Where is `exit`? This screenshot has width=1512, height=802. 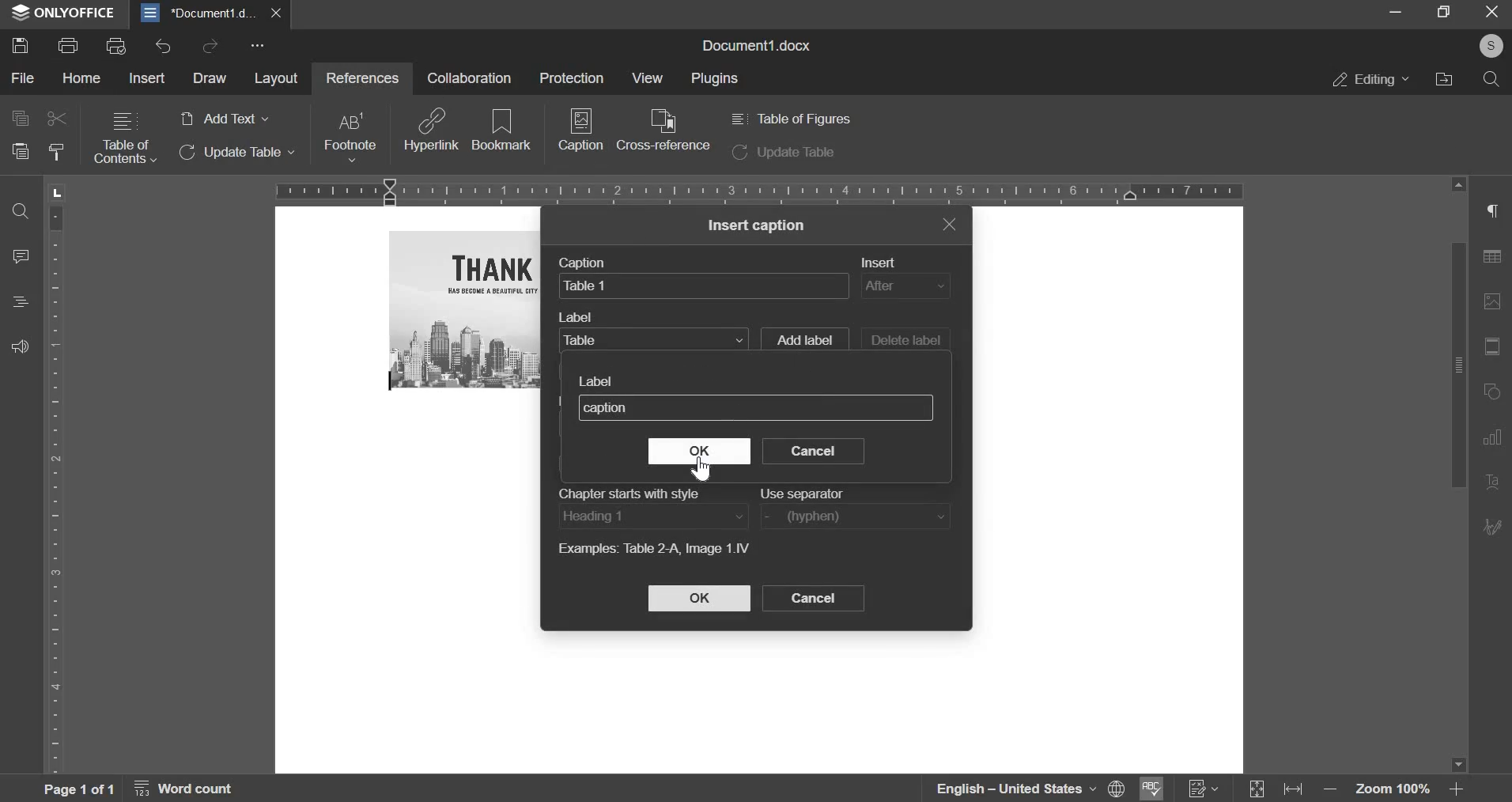 exit is located at coordinates (949, 223).